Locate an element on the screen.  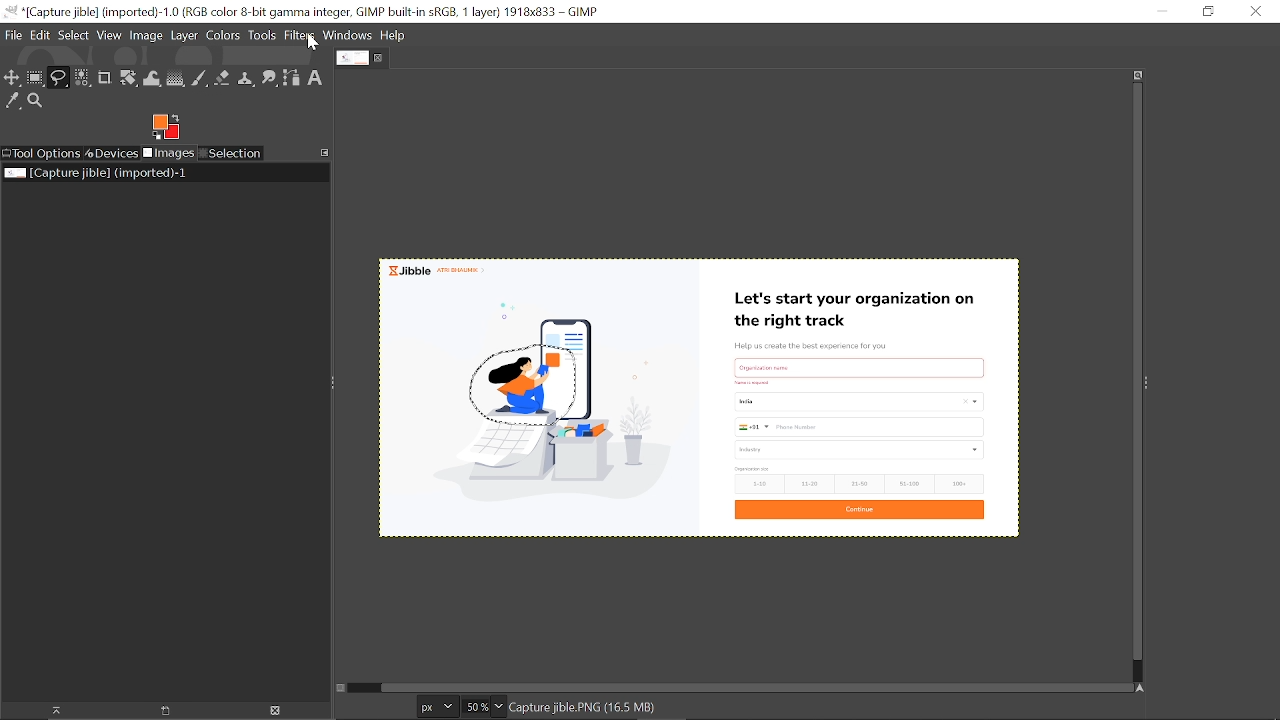
Unified transform tool is located at coordinates (128, 79).